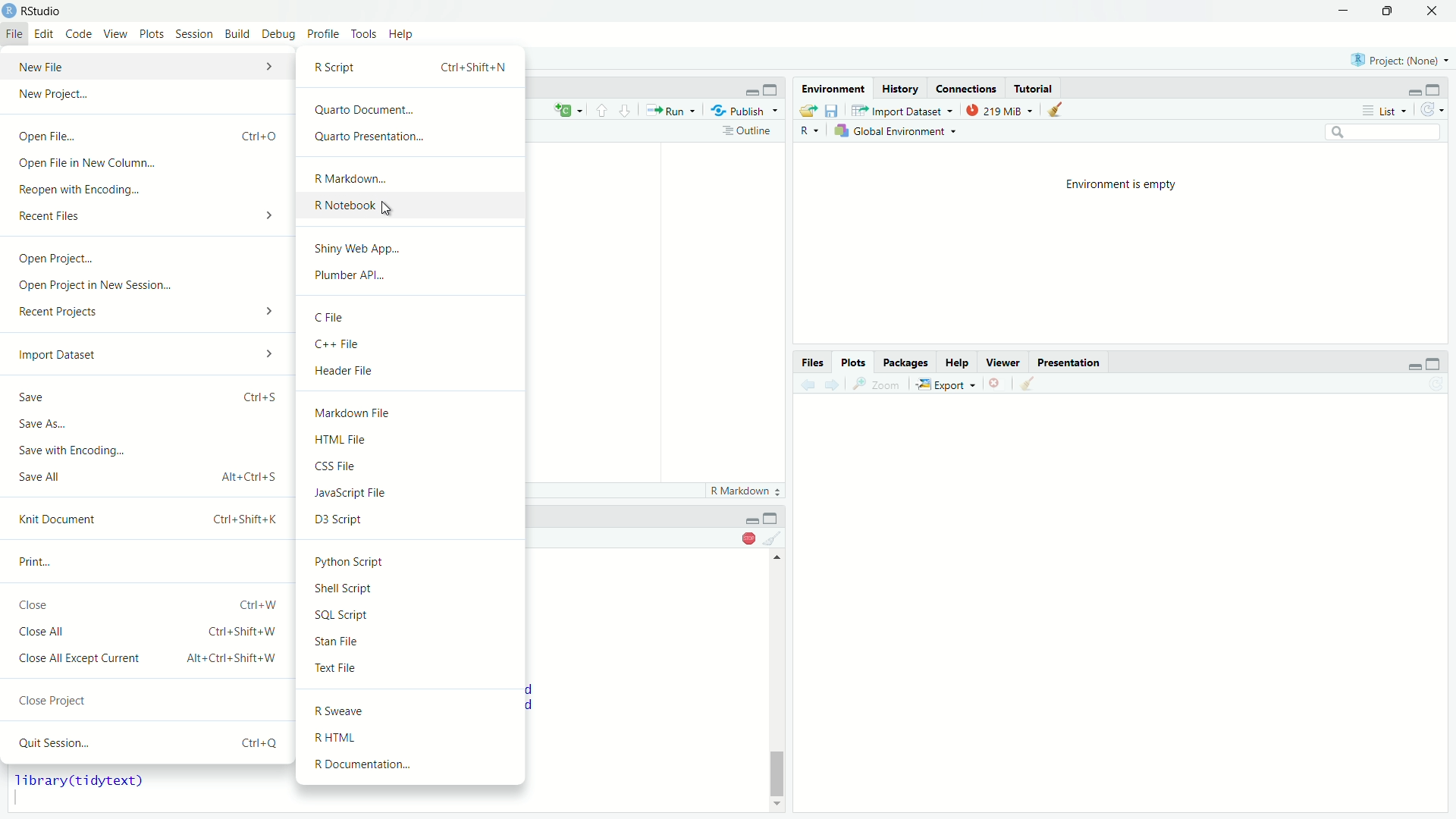  Describe the element at coordinates (774, 88) in the screenshot. I see `maximize pane` at that location.